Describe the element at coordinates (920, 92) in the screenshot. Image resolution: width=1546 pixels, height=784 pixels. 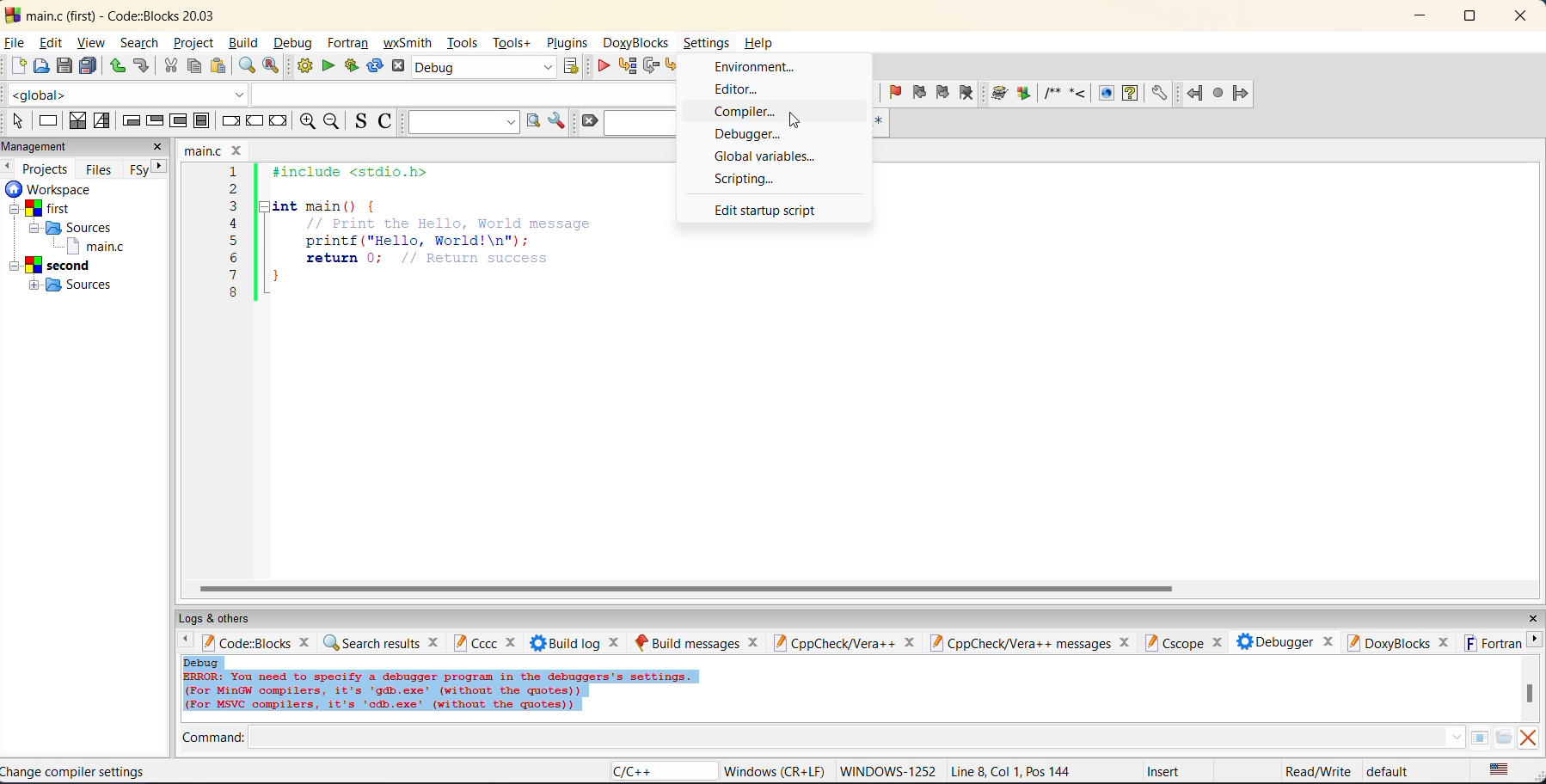
I see `previous bookmark` at that location.